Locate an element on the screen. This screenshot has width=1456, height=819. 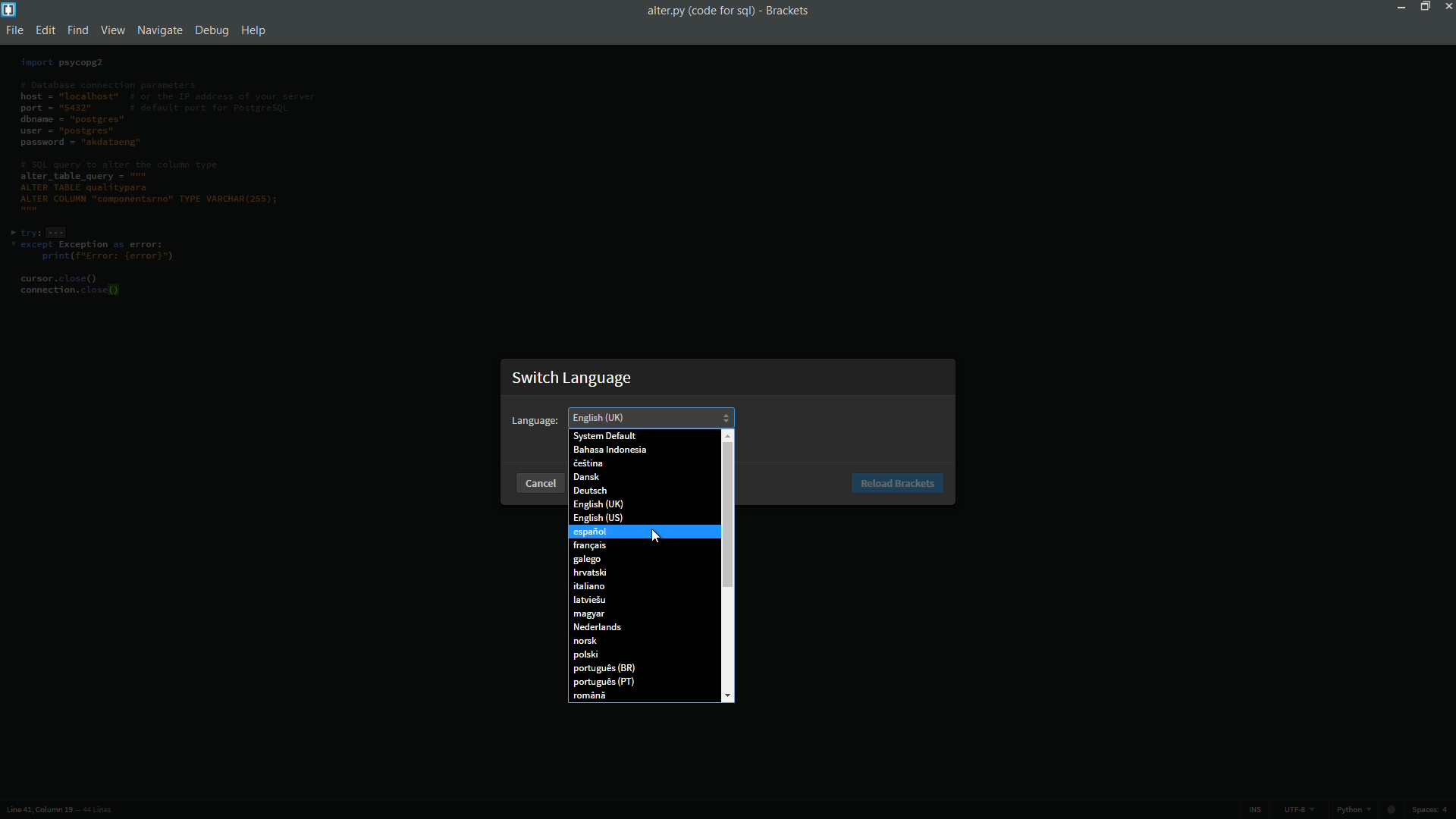
Cestins is located at coordinates (642, 463).